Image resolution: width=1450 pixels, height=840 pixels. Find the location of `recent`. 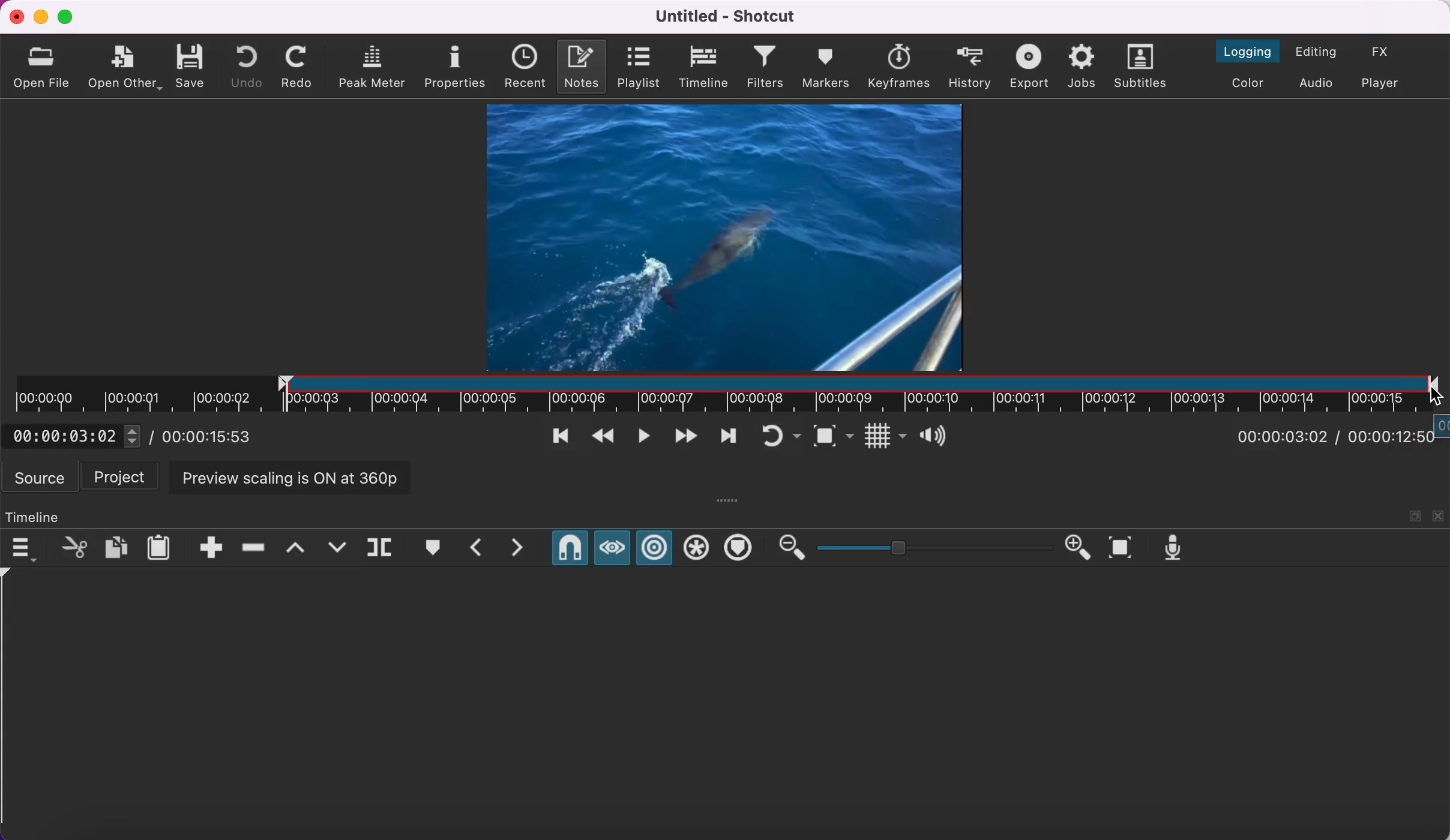

recent is located at coordinates (526, 67).